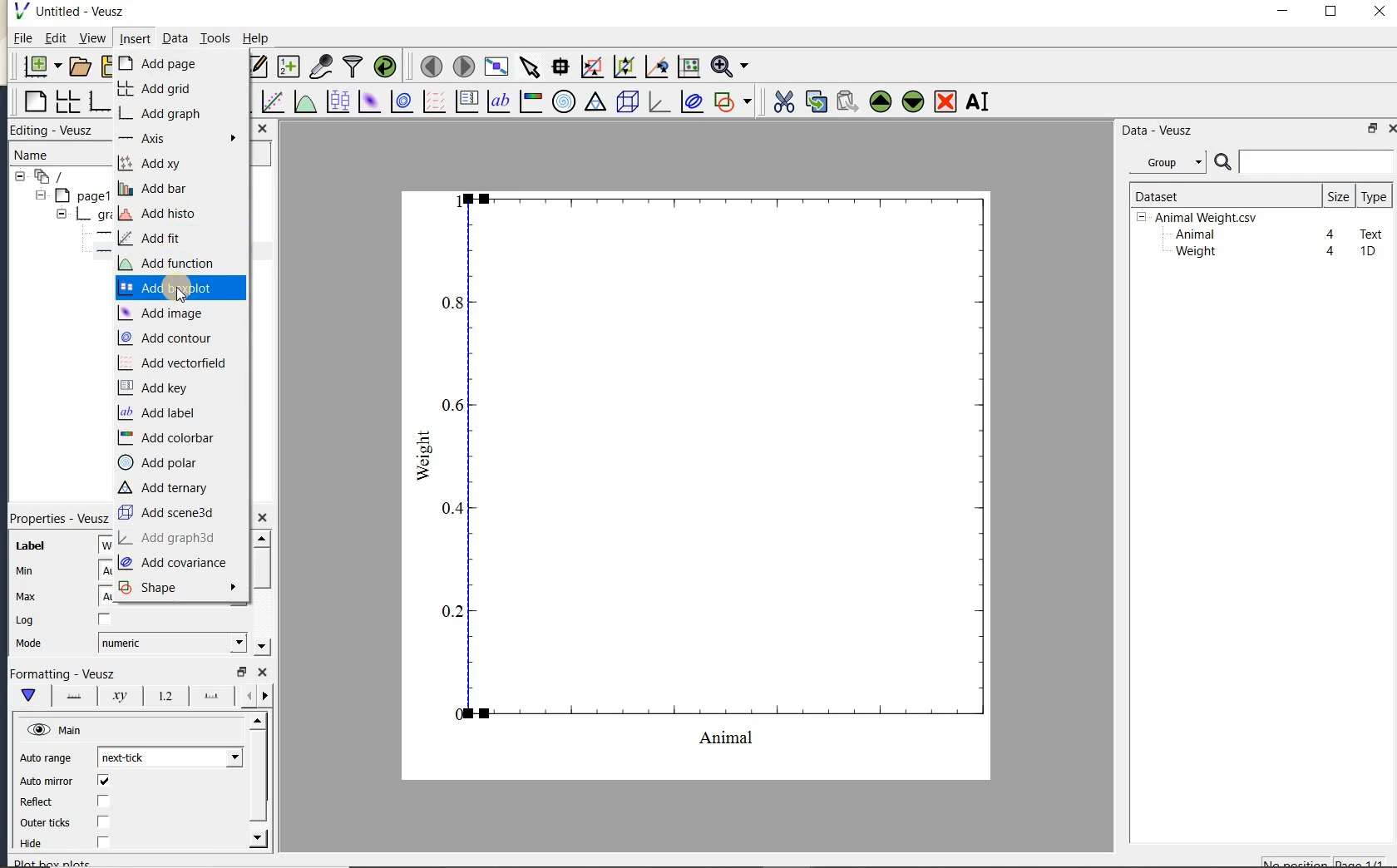  What do you see at coordinates (25, 620) in the screenshot?
I see `Log` at bounding box center [25, 620].